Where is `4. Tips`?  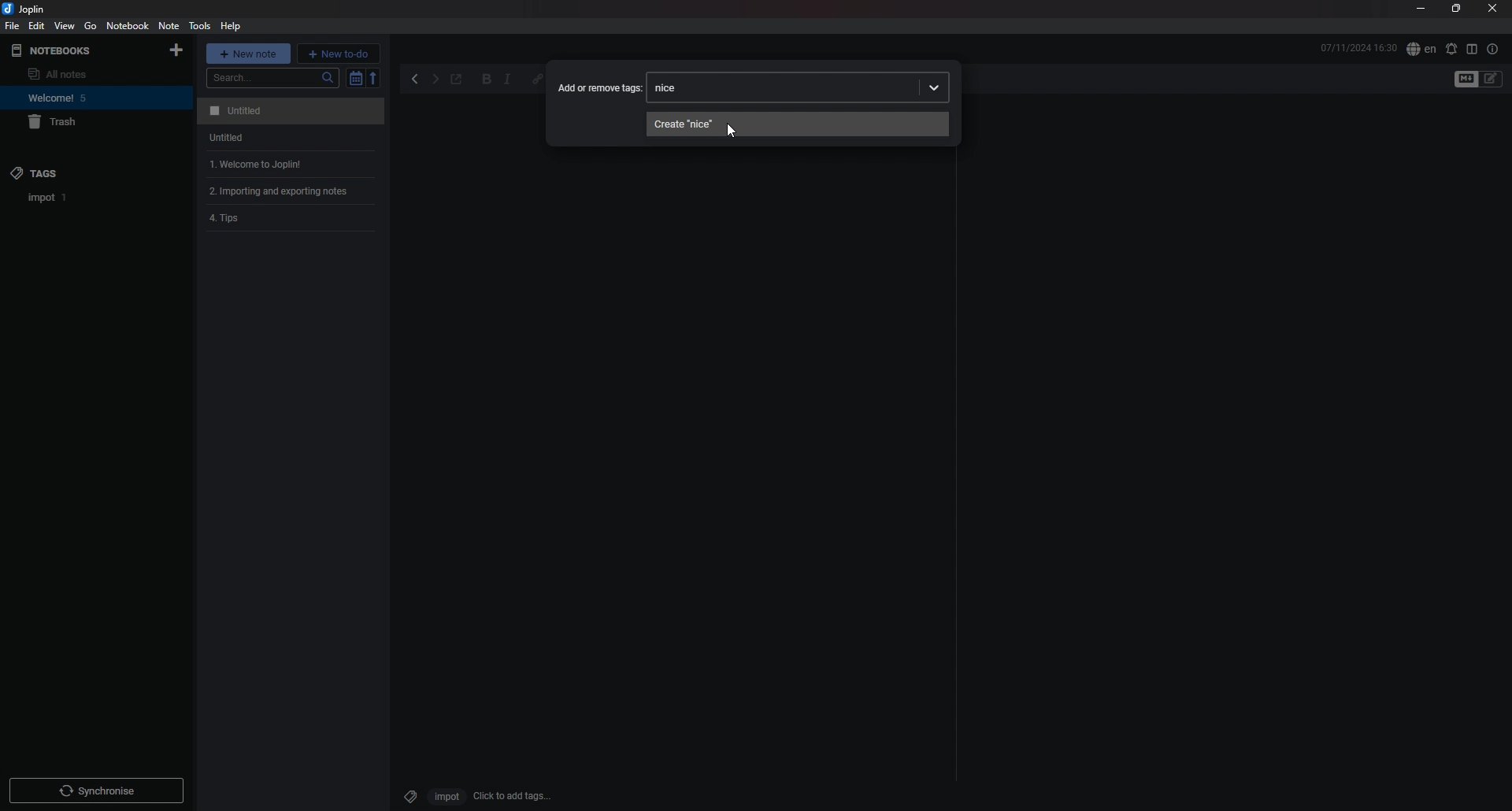 4. Tips is located at coordinates (232, 220).